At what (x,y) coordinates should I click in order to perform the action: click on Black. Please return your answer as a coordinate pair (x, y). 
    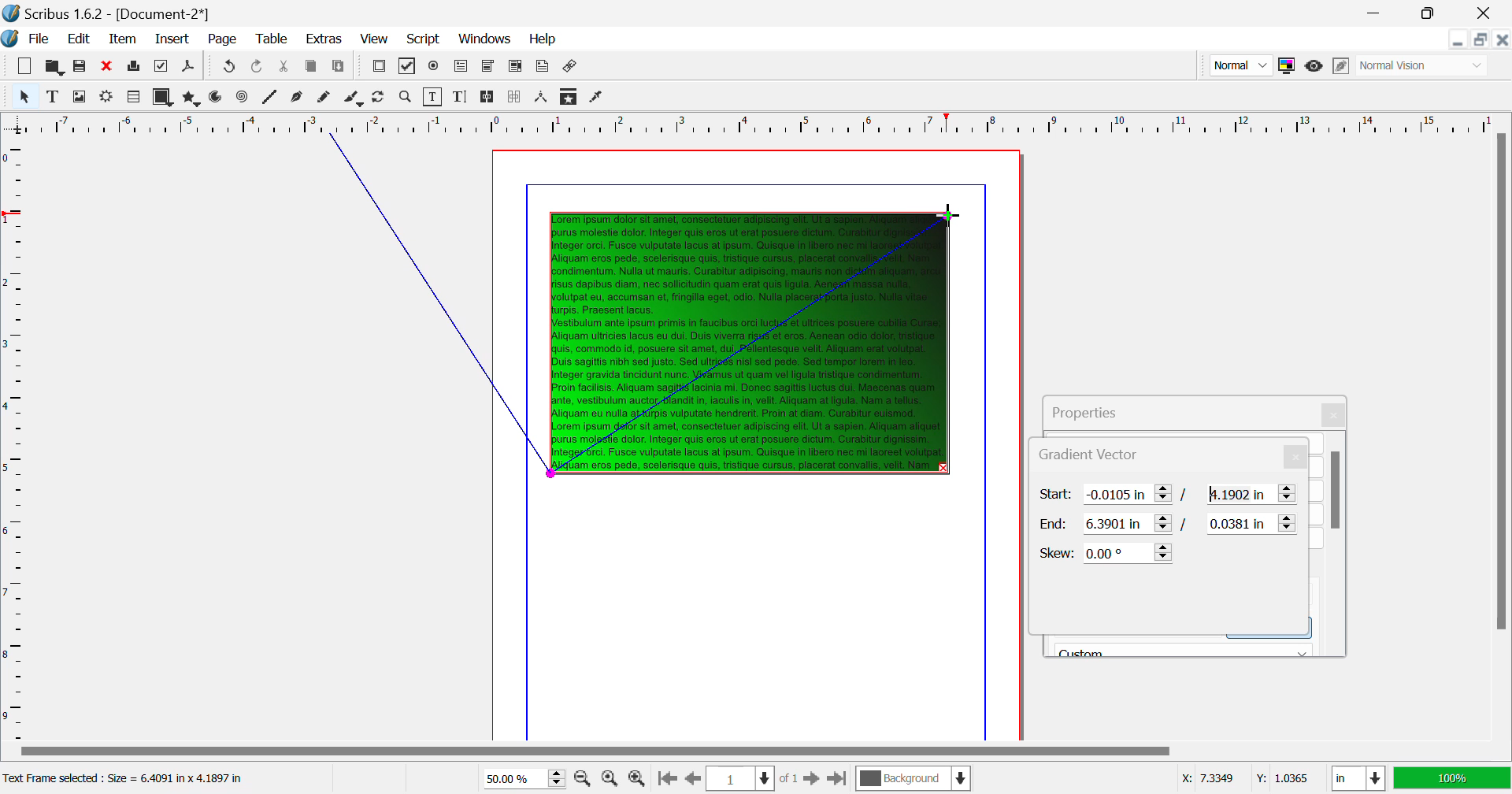
    Looking at the image, I should click on (1184, 647).